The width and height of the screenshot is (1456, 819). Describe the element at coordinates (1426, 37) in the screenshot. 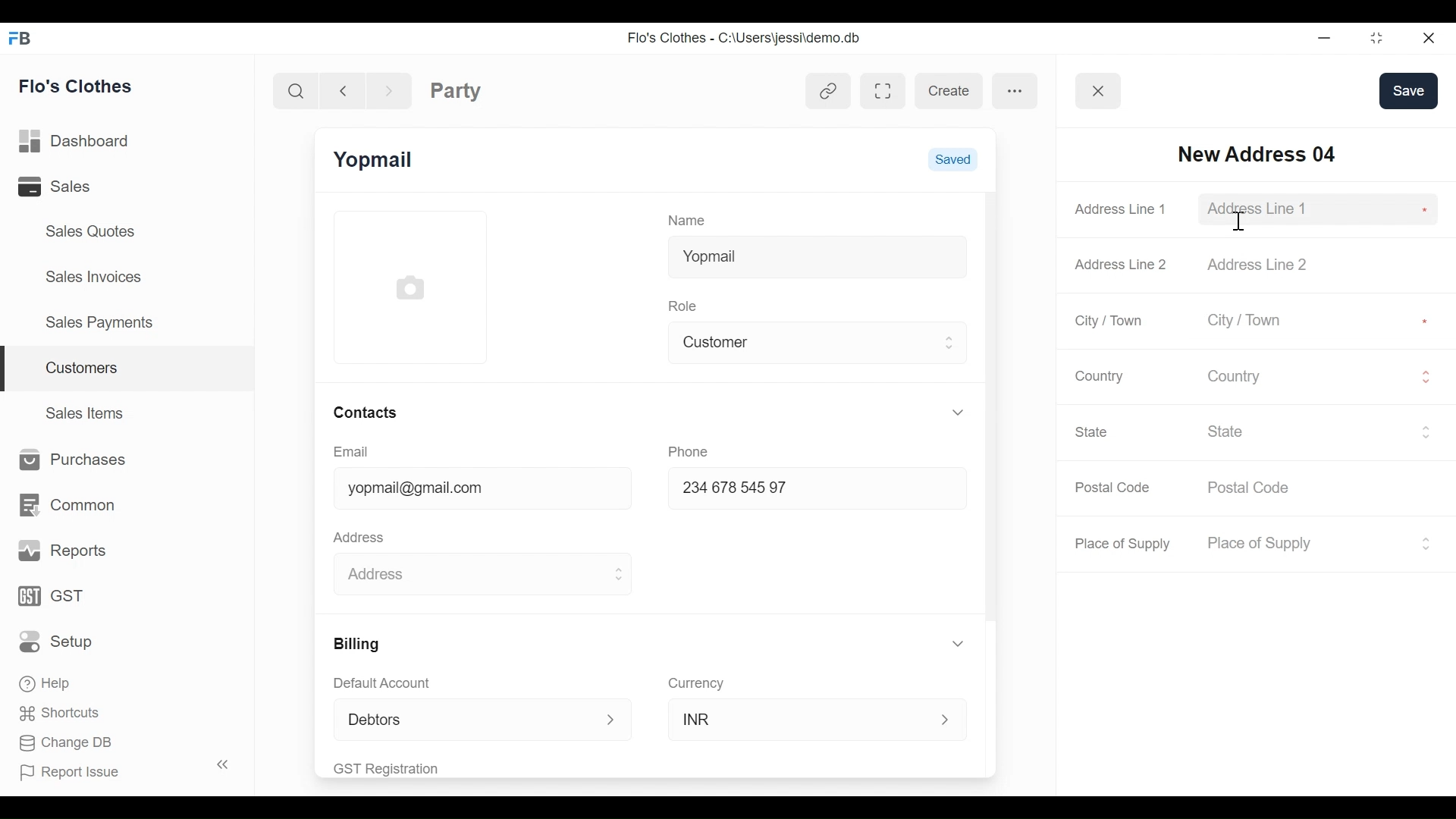

I see `Close` at that location.